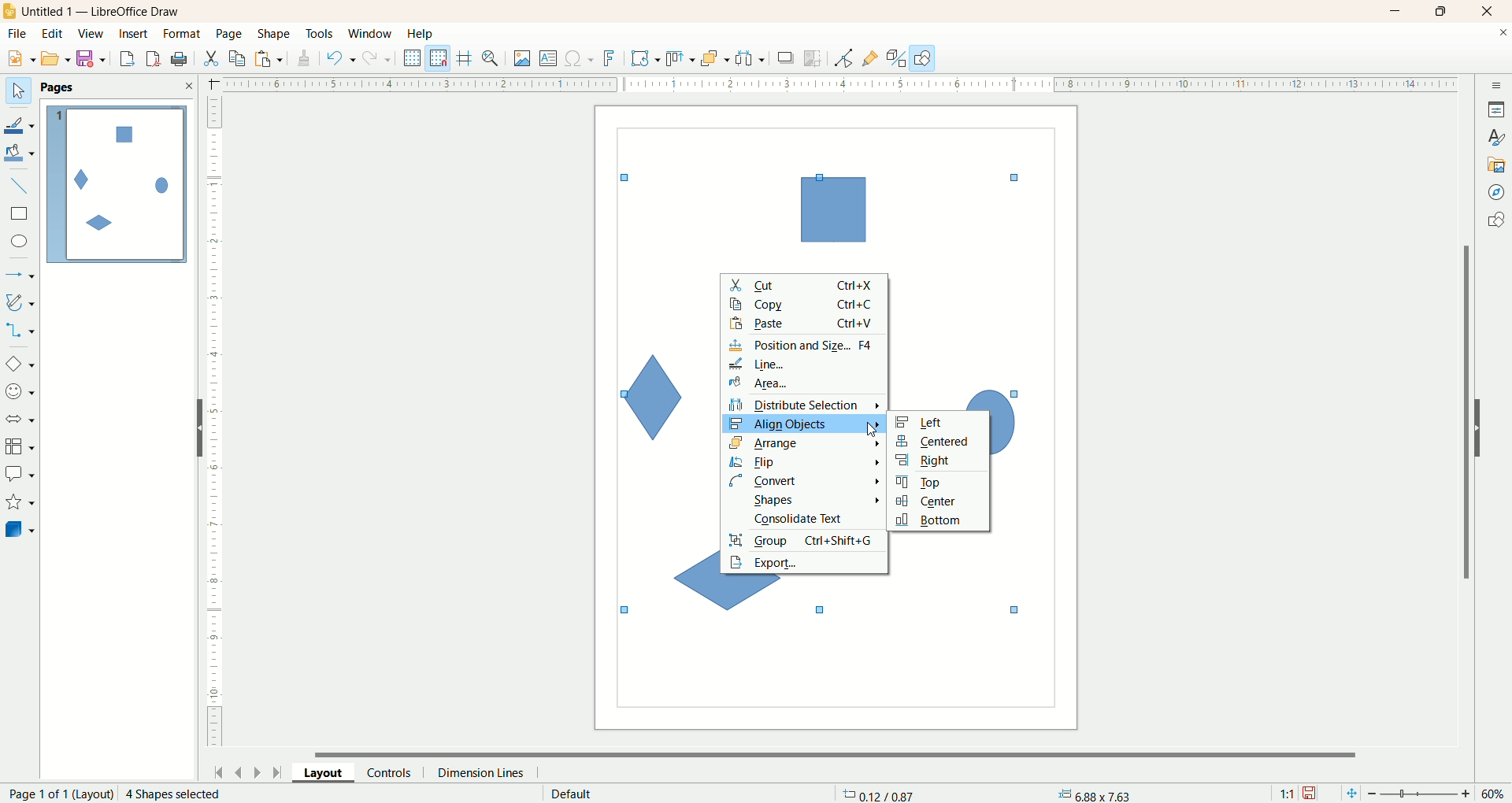 The image size is (1512, 803). Describe the element at coordinates (341, 58) in the screenshot. I see `undo` at that location.